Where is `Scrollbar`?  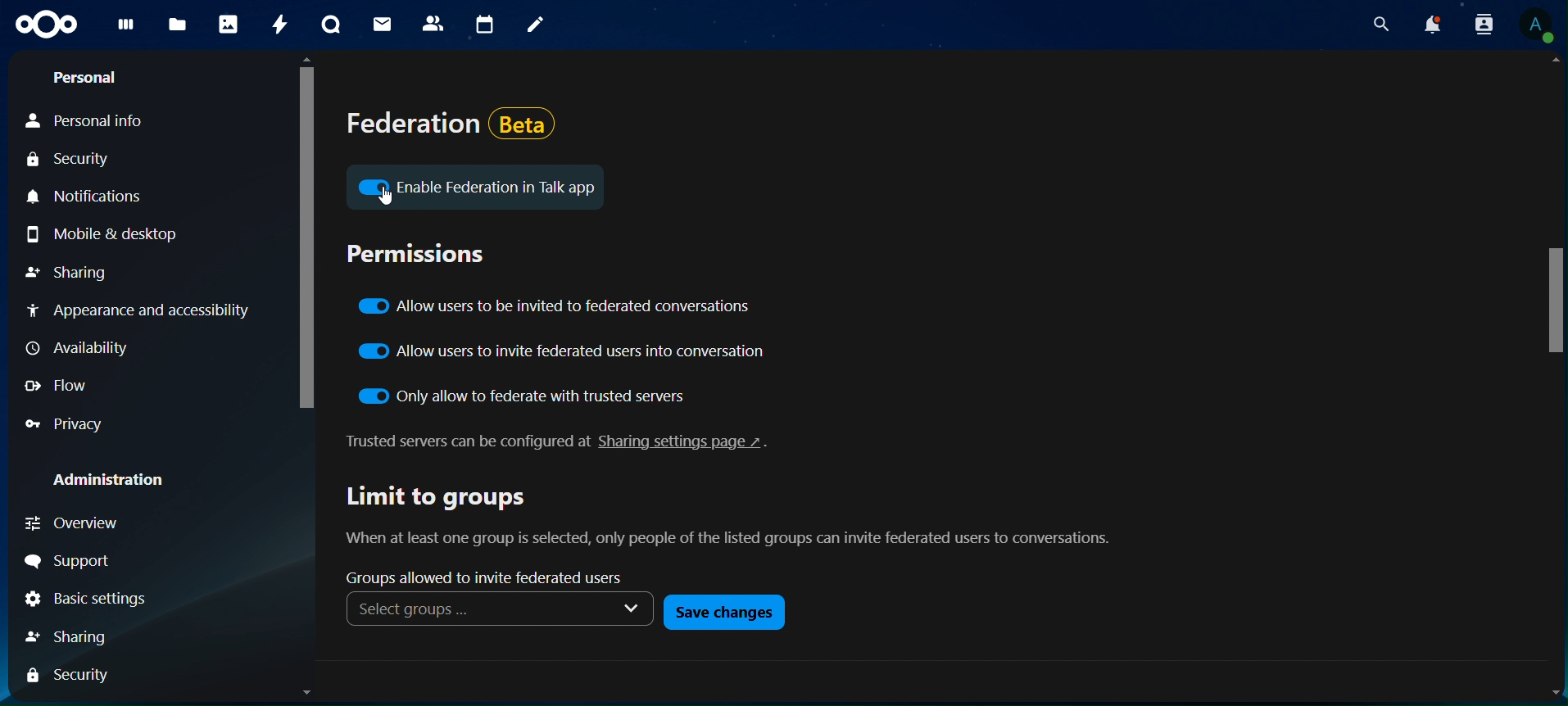
Scrollbar is located at coordinates (307, 378).